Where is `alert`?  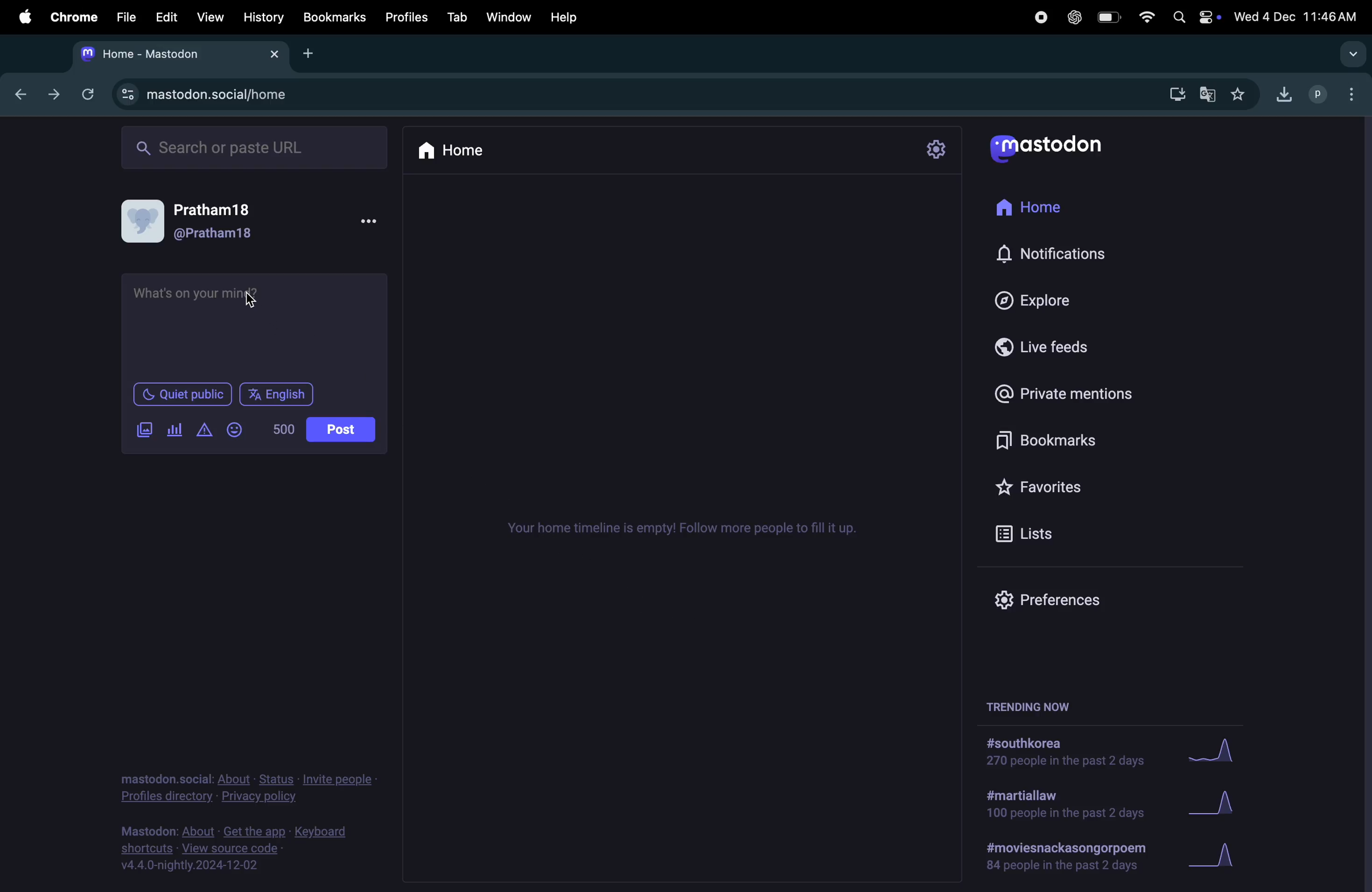 alert is located at coordinates (207, 429).